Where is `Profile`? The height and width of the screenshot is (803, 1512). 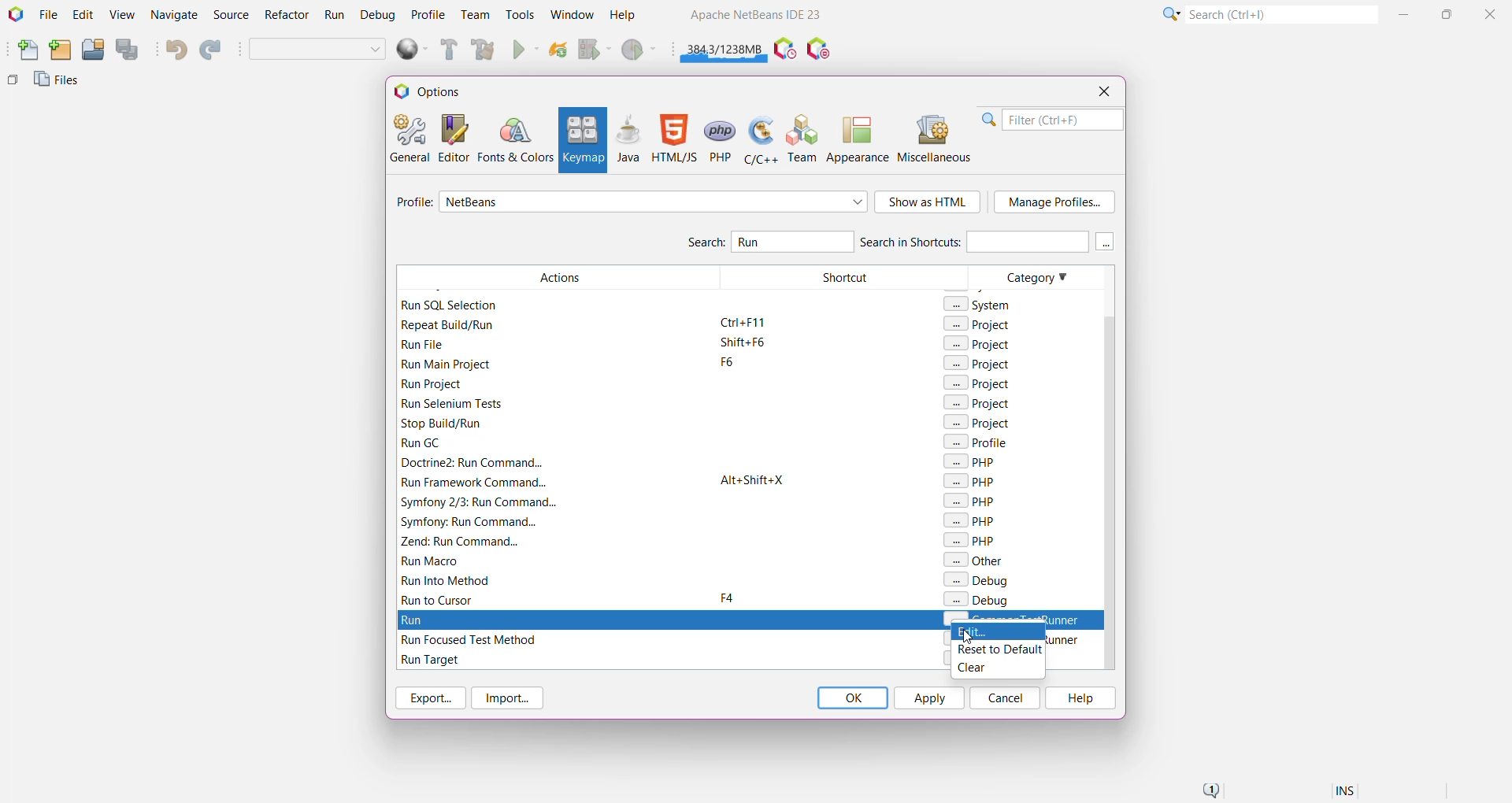 Profile is located at coordinates (428, 14).